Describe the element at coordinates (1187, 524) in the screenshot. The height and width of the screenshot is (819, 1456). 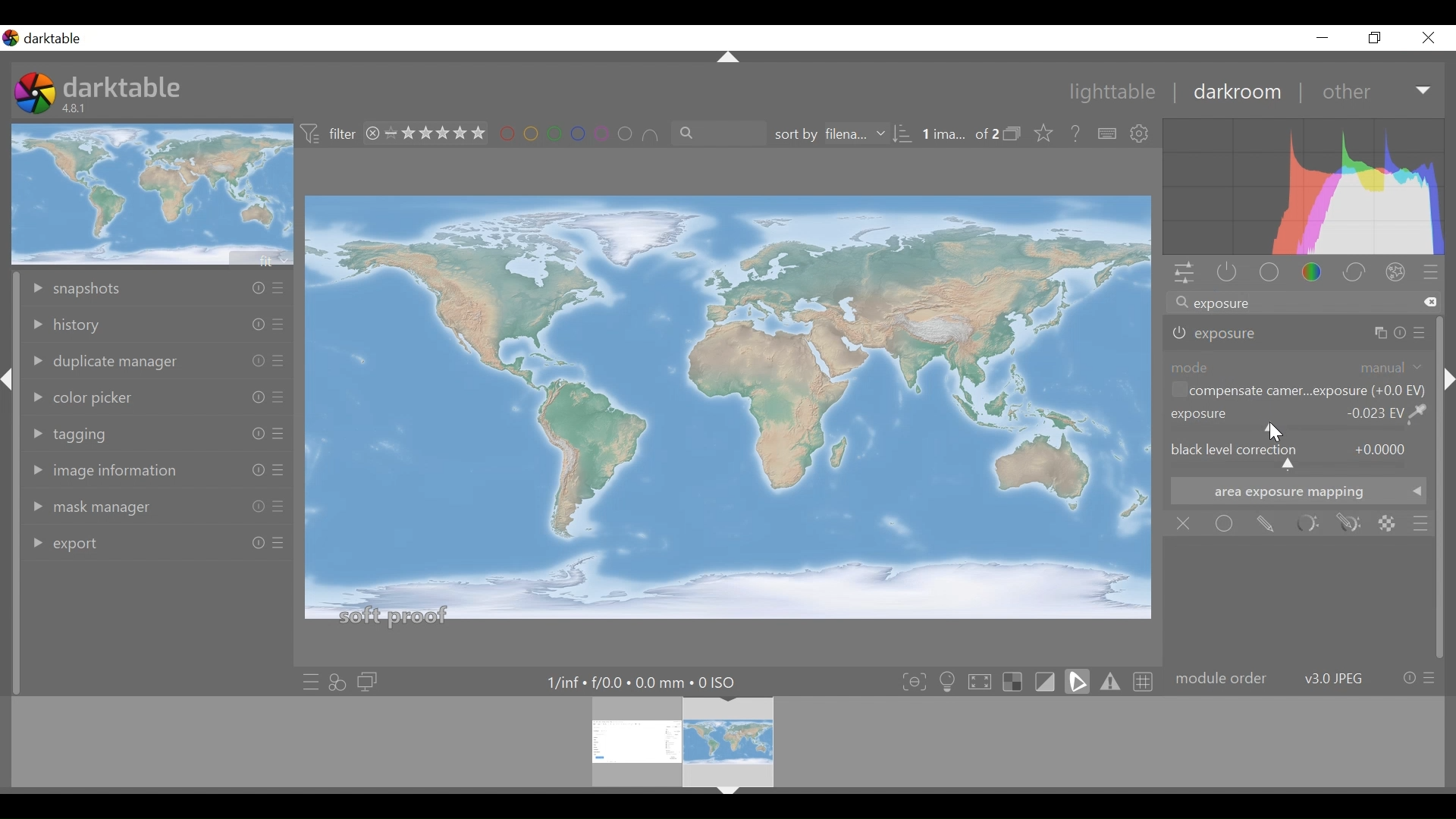
I see `off` at that location.